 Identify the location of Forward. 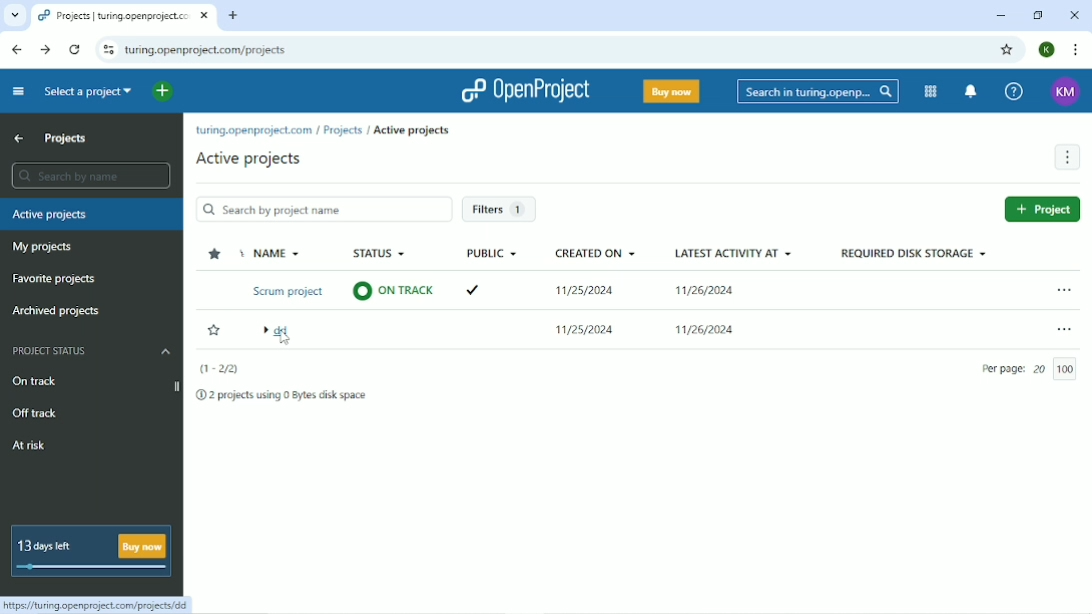
(45, 51).